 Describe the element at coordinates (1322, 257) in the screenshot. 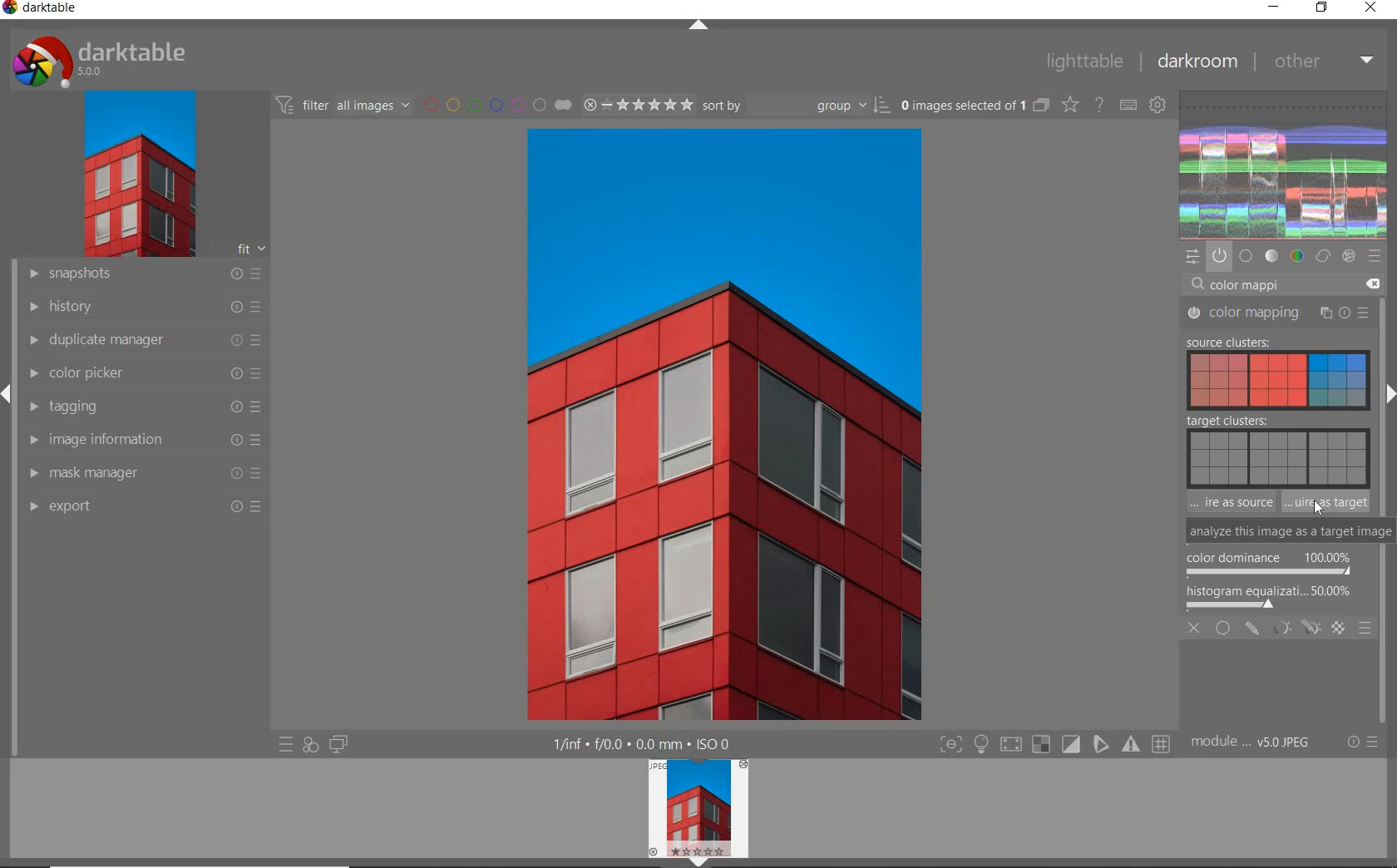

I see `correct ` at that location.